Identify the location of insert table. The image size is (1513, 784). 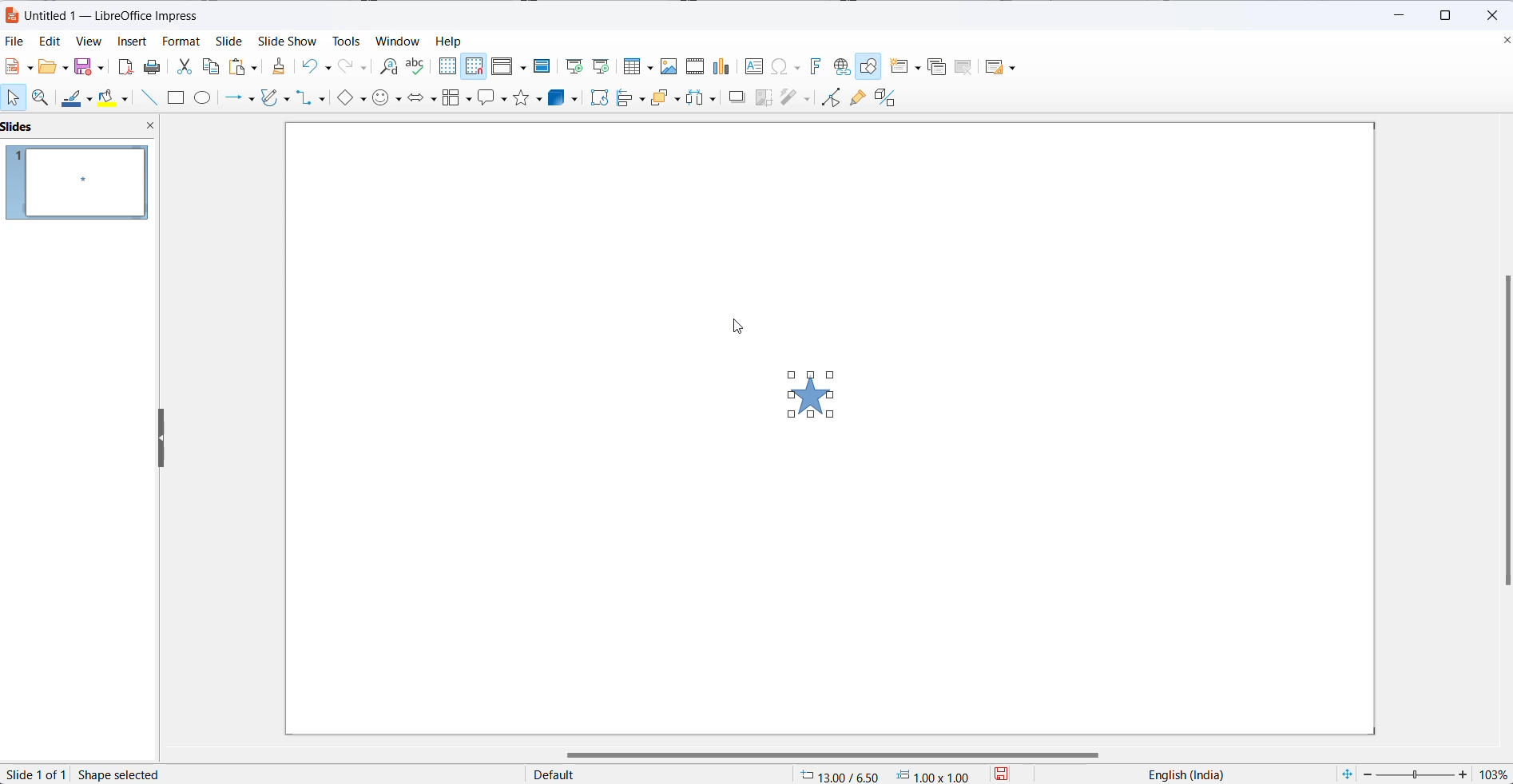
(636, 68).